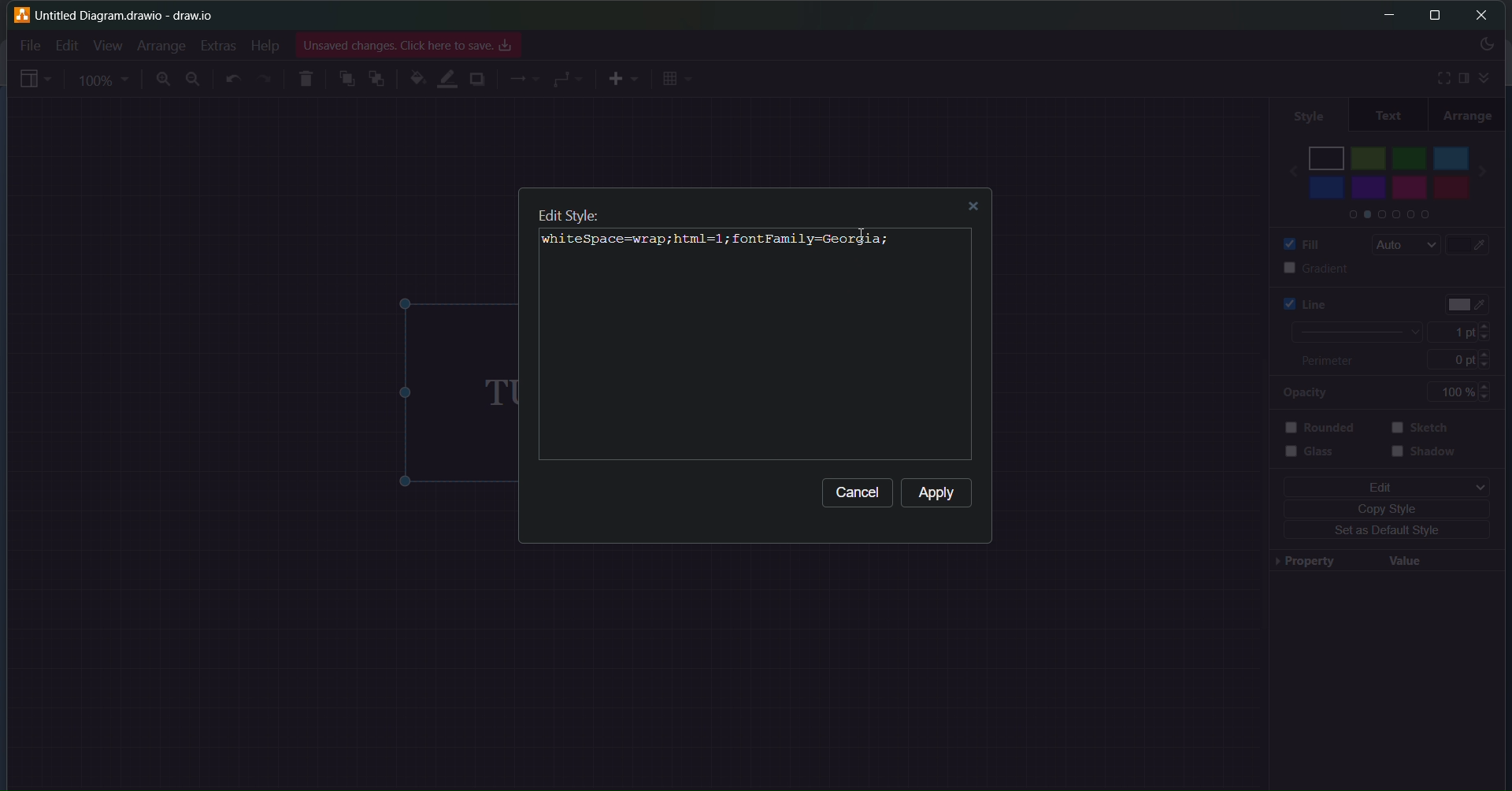  What do you see at coordinates (569, 79) in the screenshot?
I see `connector` at bounding box center [569, 79].